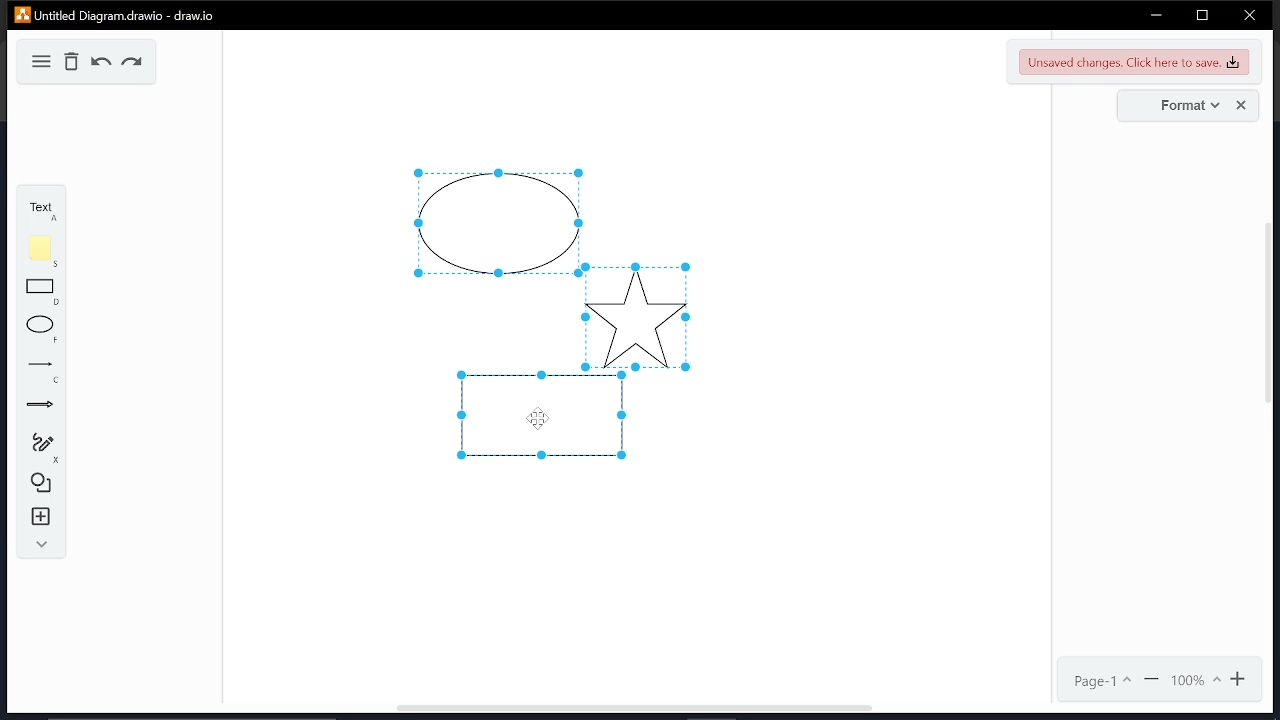 This screenshot has width=1280, height=720. Describe the element at coordinates (1103, 681) in the screenshot. I see `page1` at that location.